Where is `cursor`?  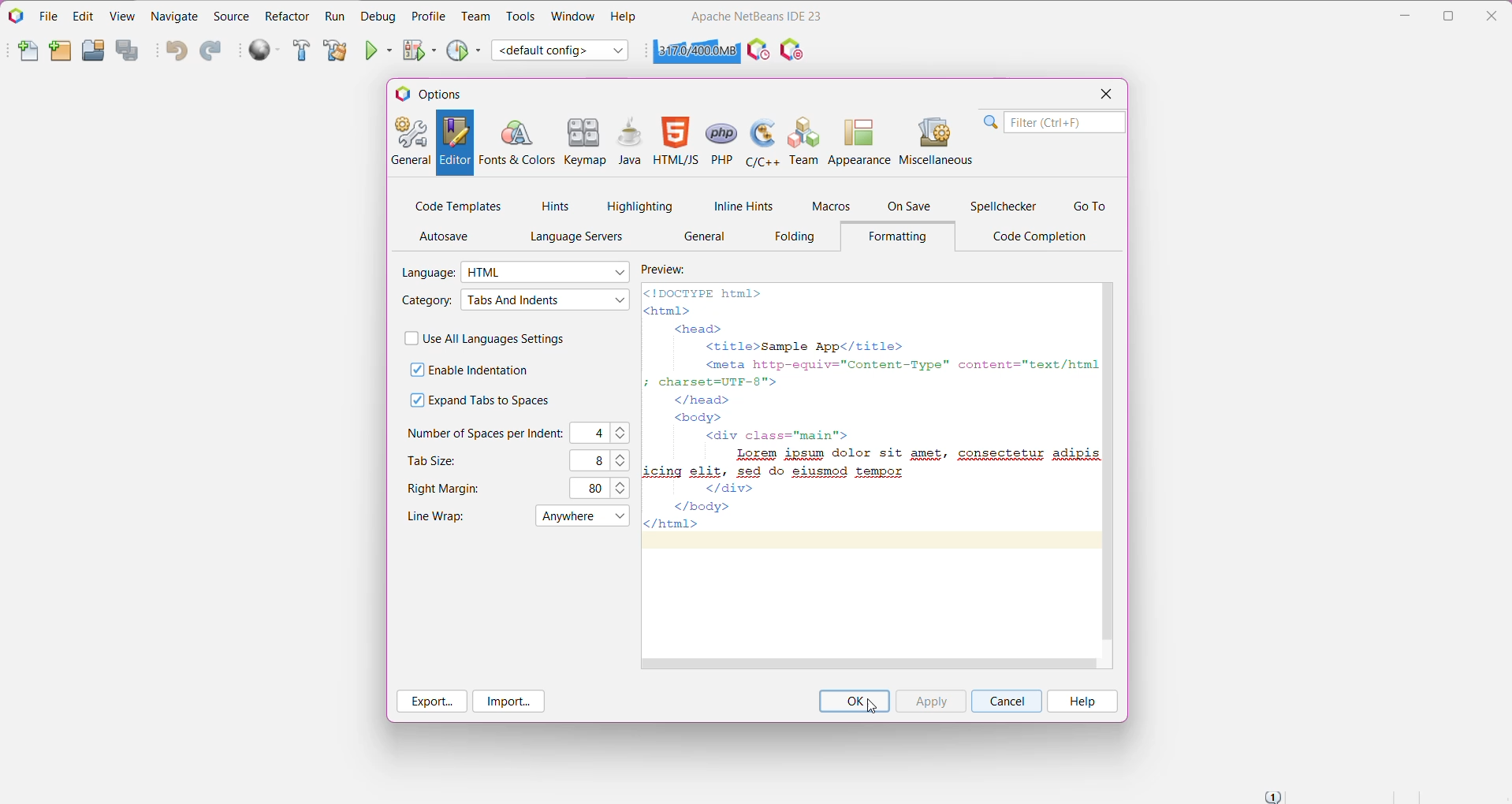 cursor is located at coordinates (873, 706).